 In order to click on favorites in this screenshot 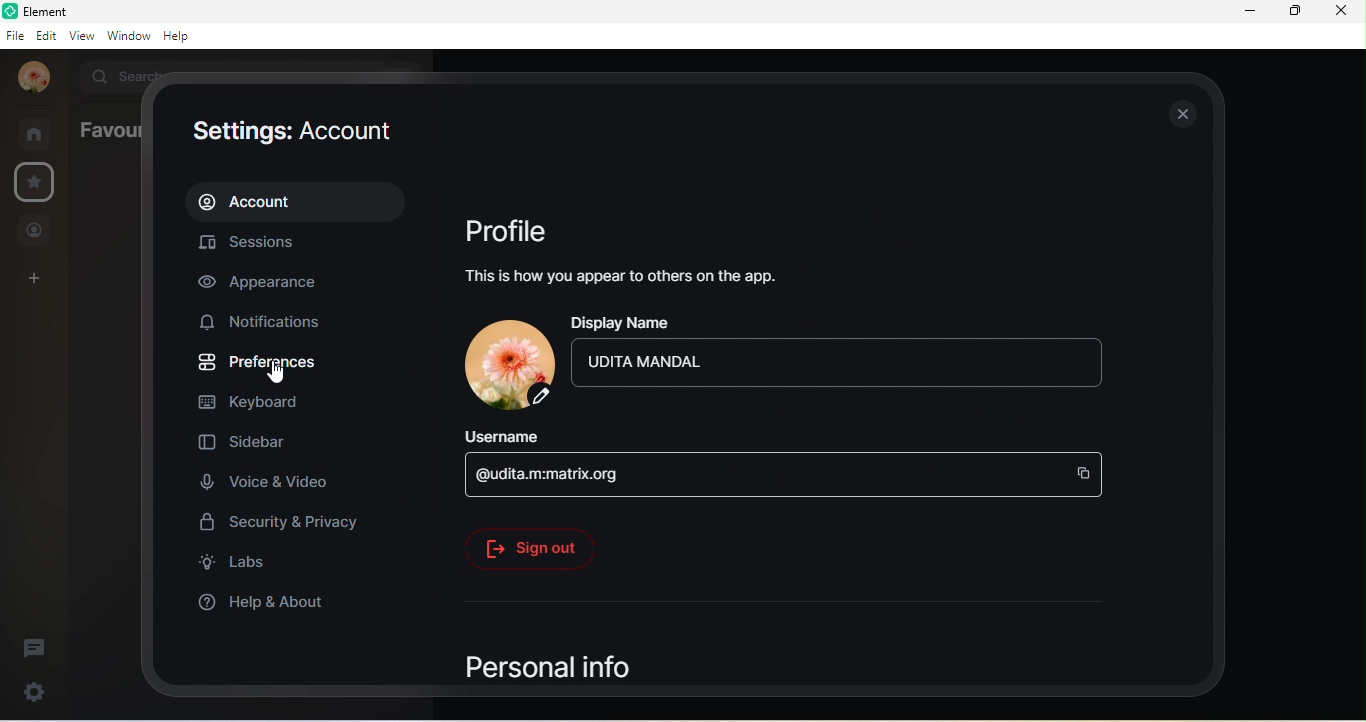, I will do `click(33, 182)`.